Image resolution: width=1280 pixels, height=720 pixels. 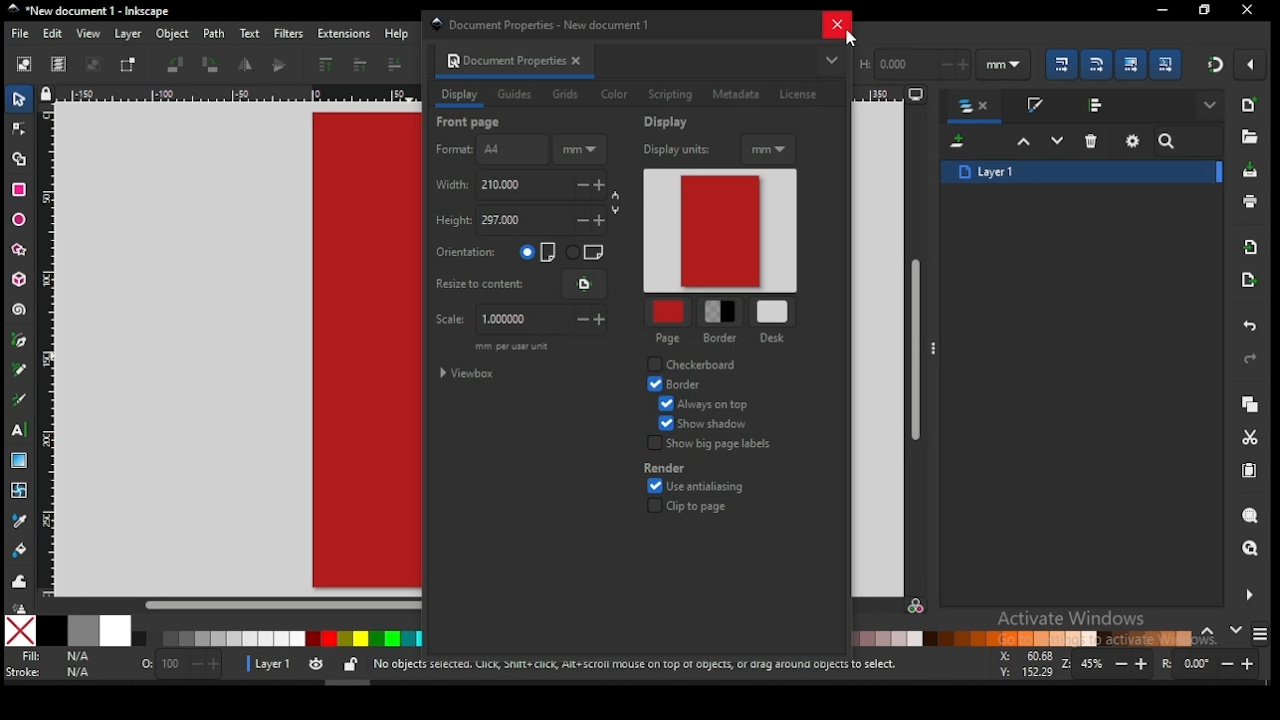 I want to click on object flip vertical, so click(x=280, y=65).